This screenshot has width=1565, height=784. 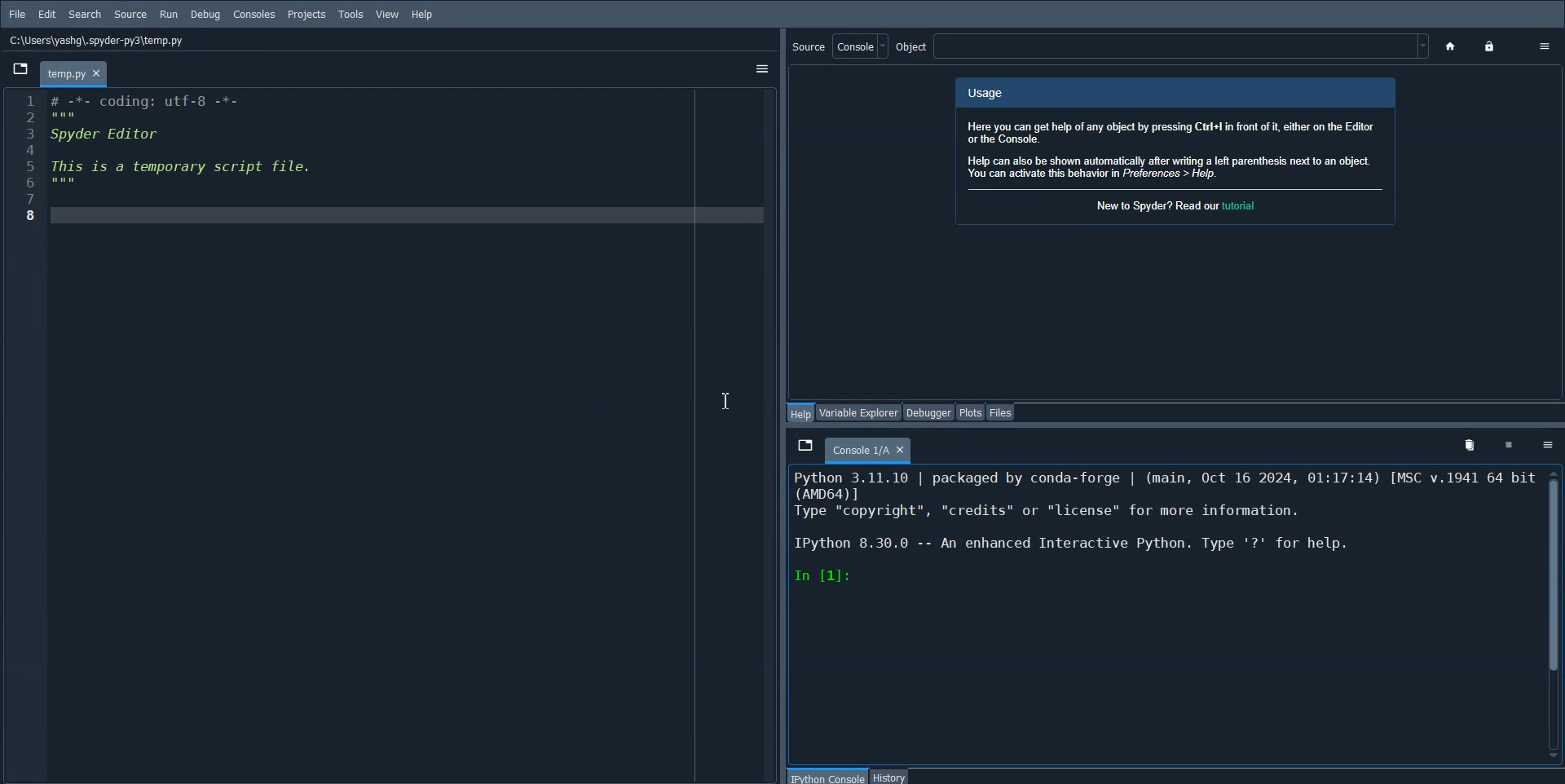 What do you see at coordinates (1491, 46) in the screenshot?
I see `Lock` at bounding box center [1491, 46].